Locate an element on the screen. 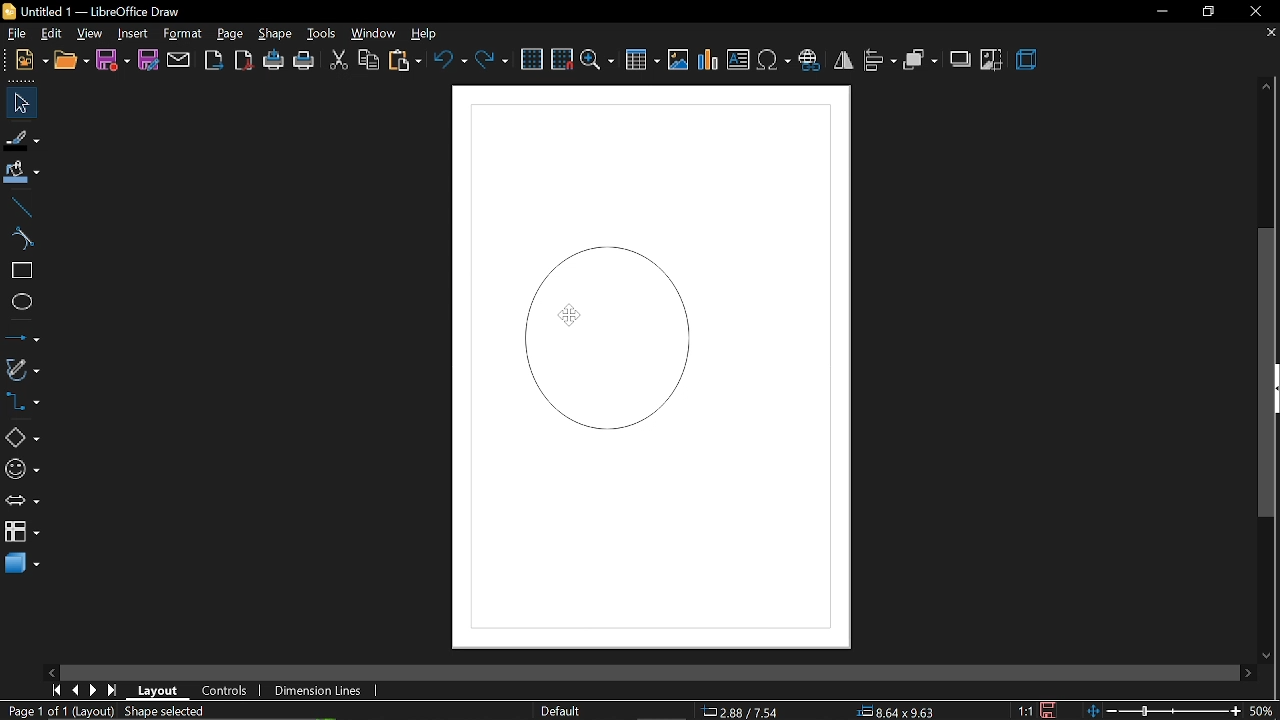  grid is located at coordinates (534, 59).